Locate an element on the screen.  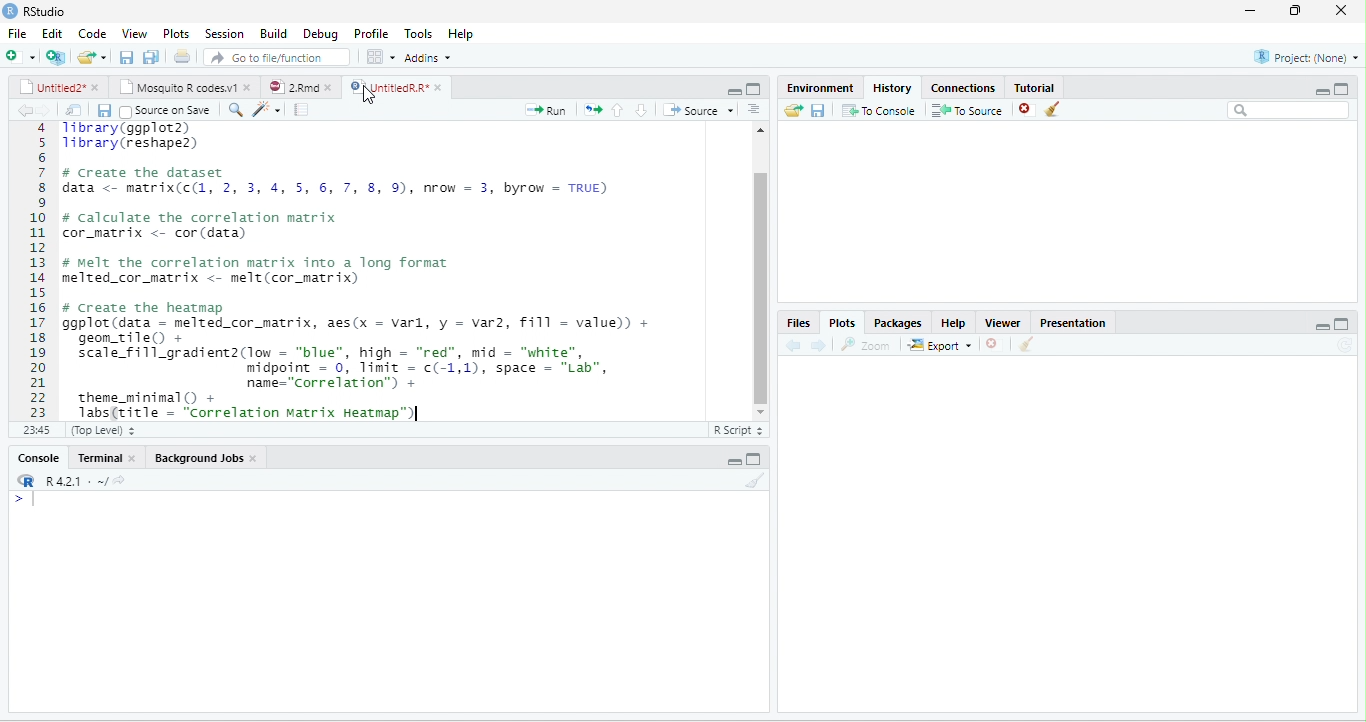
previous is located at coordinates (797, 345).